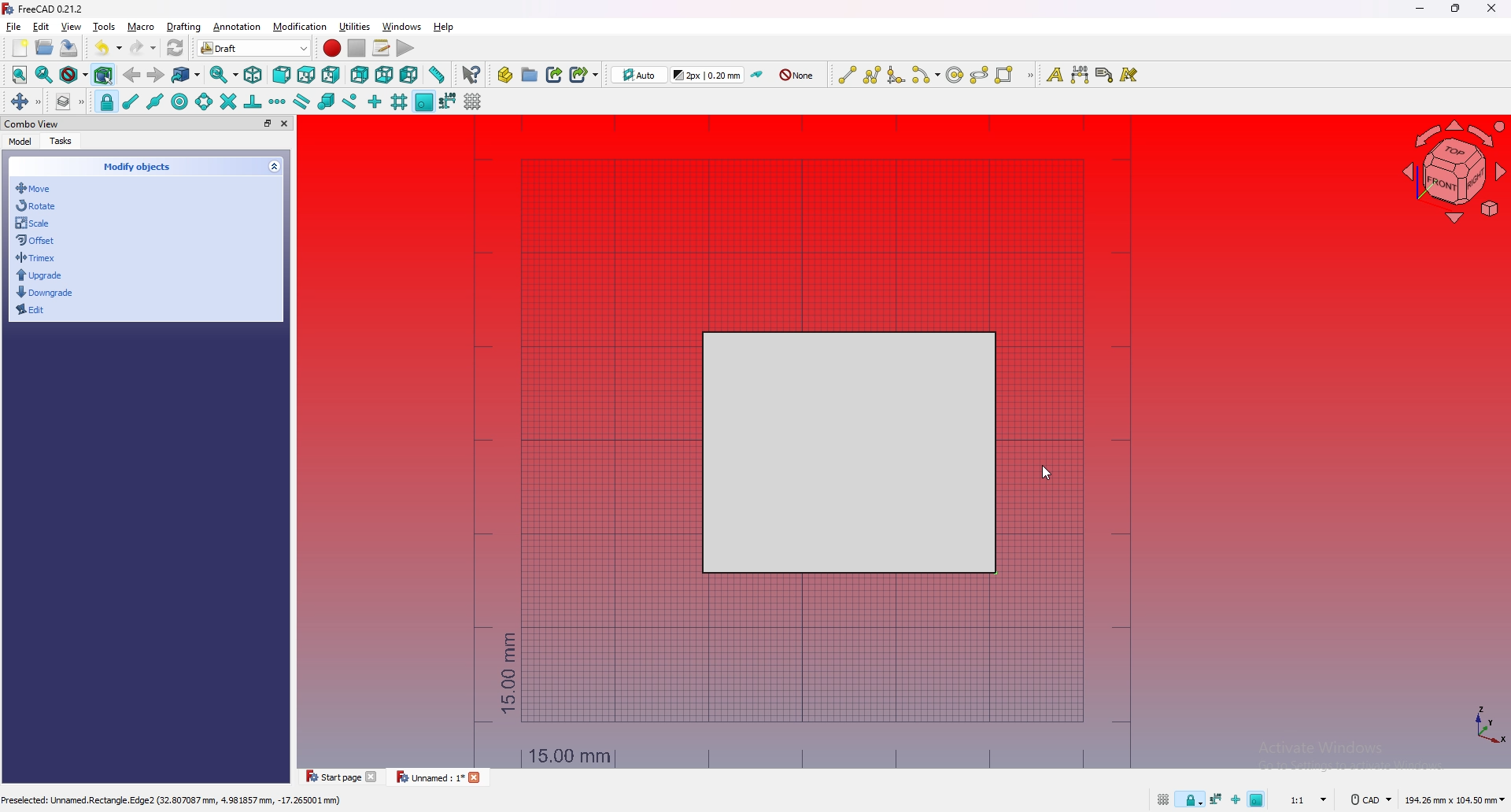 Image resolution: width=1511 pixels, height=812 pixels. Describe the element at coordinates (1054, 75) in the screenshot. I see `text` at that location.